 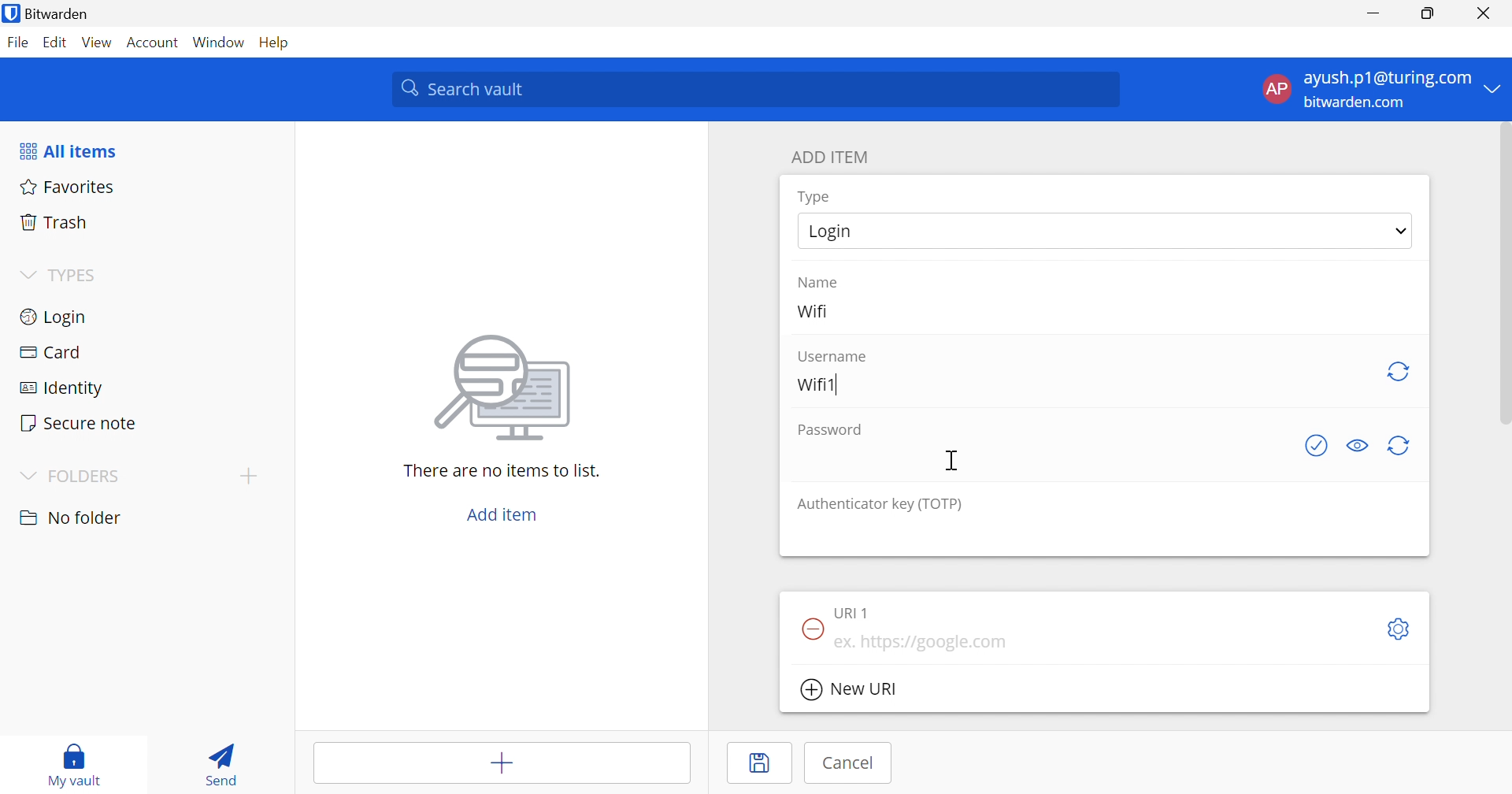 I want to click on Restore Down, so click(x=1429, y=13).